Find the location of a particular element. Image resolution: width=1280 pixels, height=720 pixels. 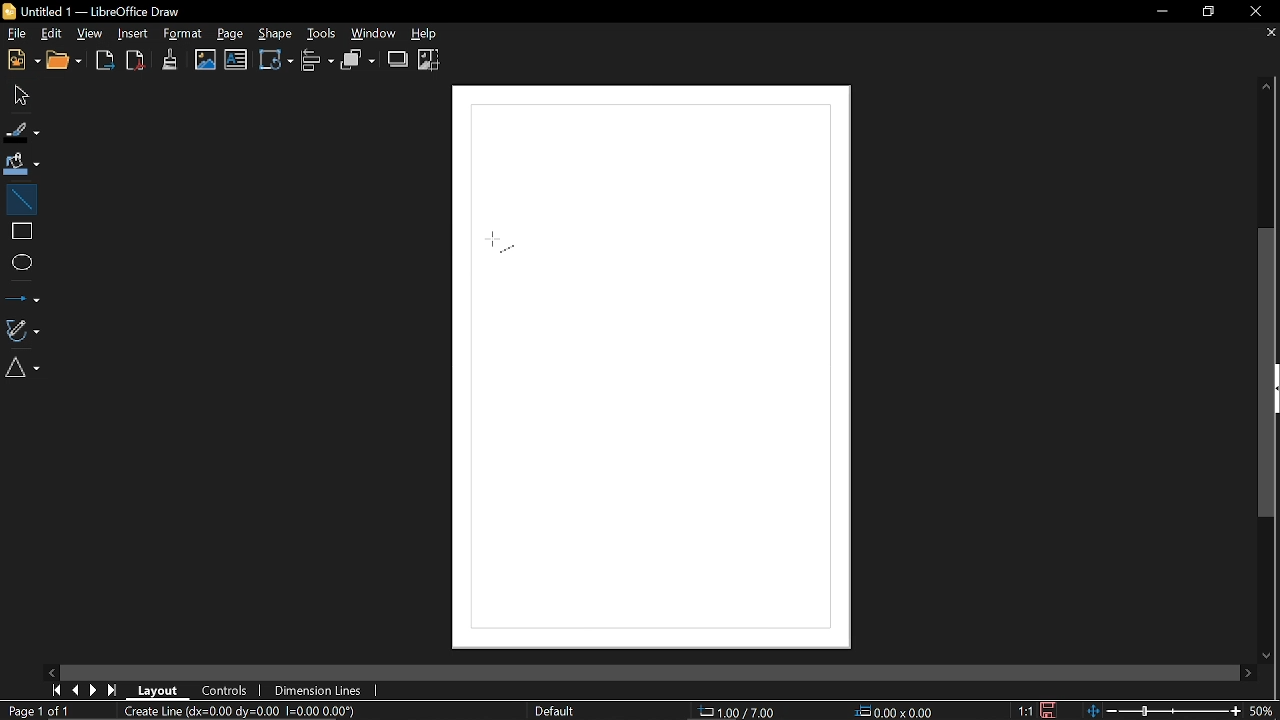

Dimension lines is located at coordinates (322, 689).